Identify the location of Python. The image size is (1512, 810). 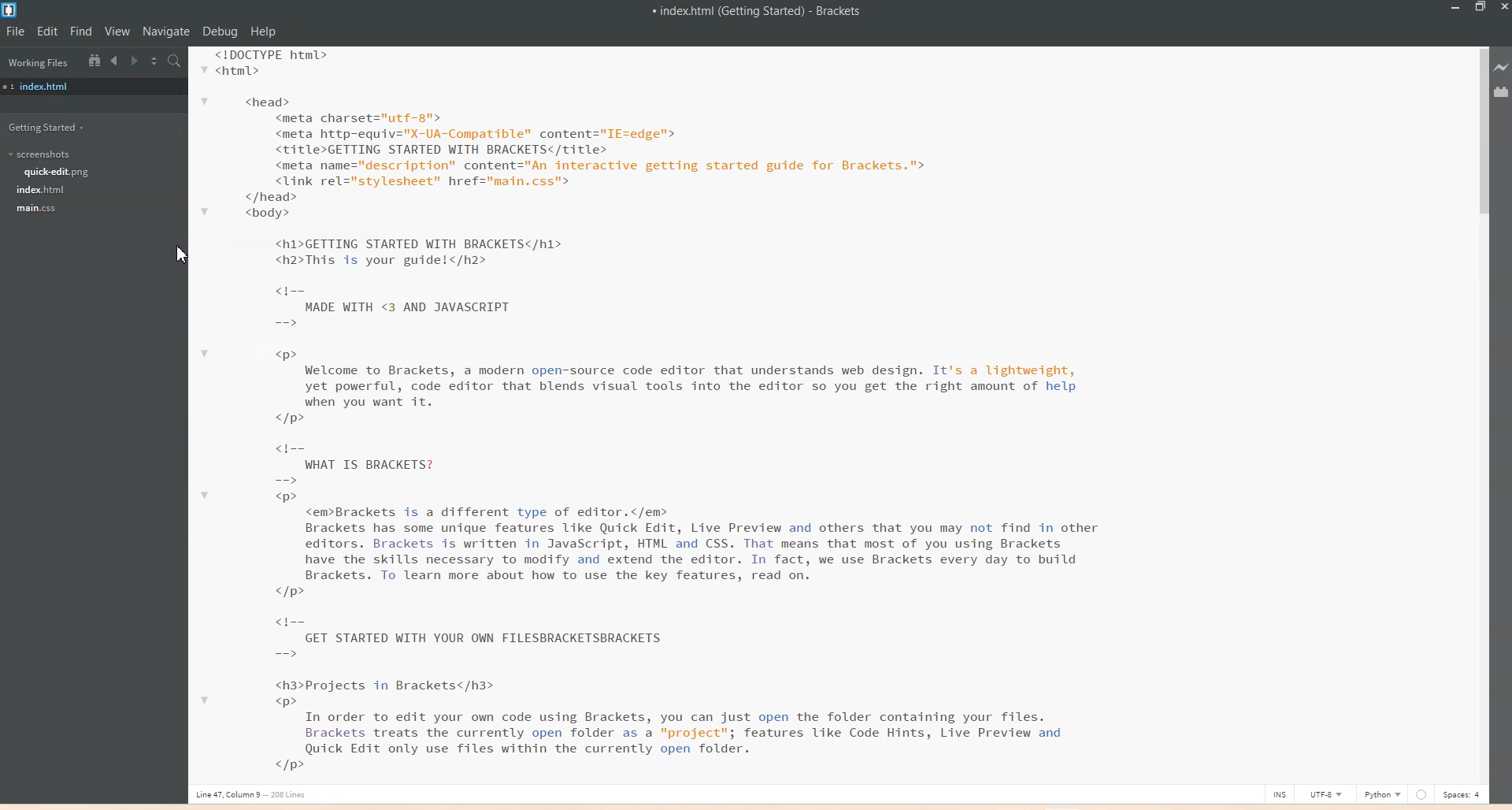
(1384, 793).